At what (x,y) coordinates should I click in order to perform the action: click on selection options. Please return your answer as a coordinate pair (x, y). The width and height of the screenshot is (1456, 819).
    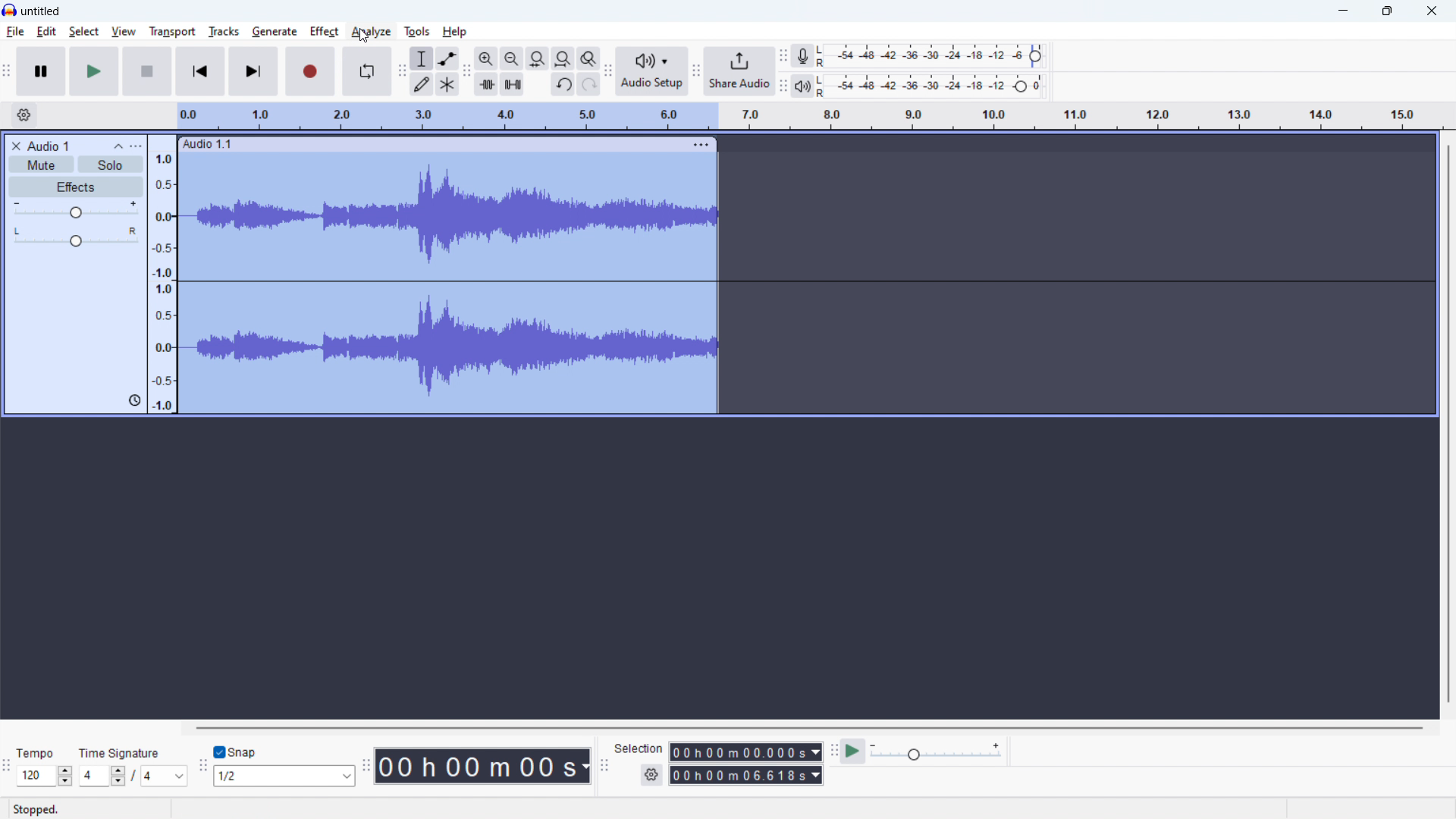
    Looking at the image, I should click on (652, 775).